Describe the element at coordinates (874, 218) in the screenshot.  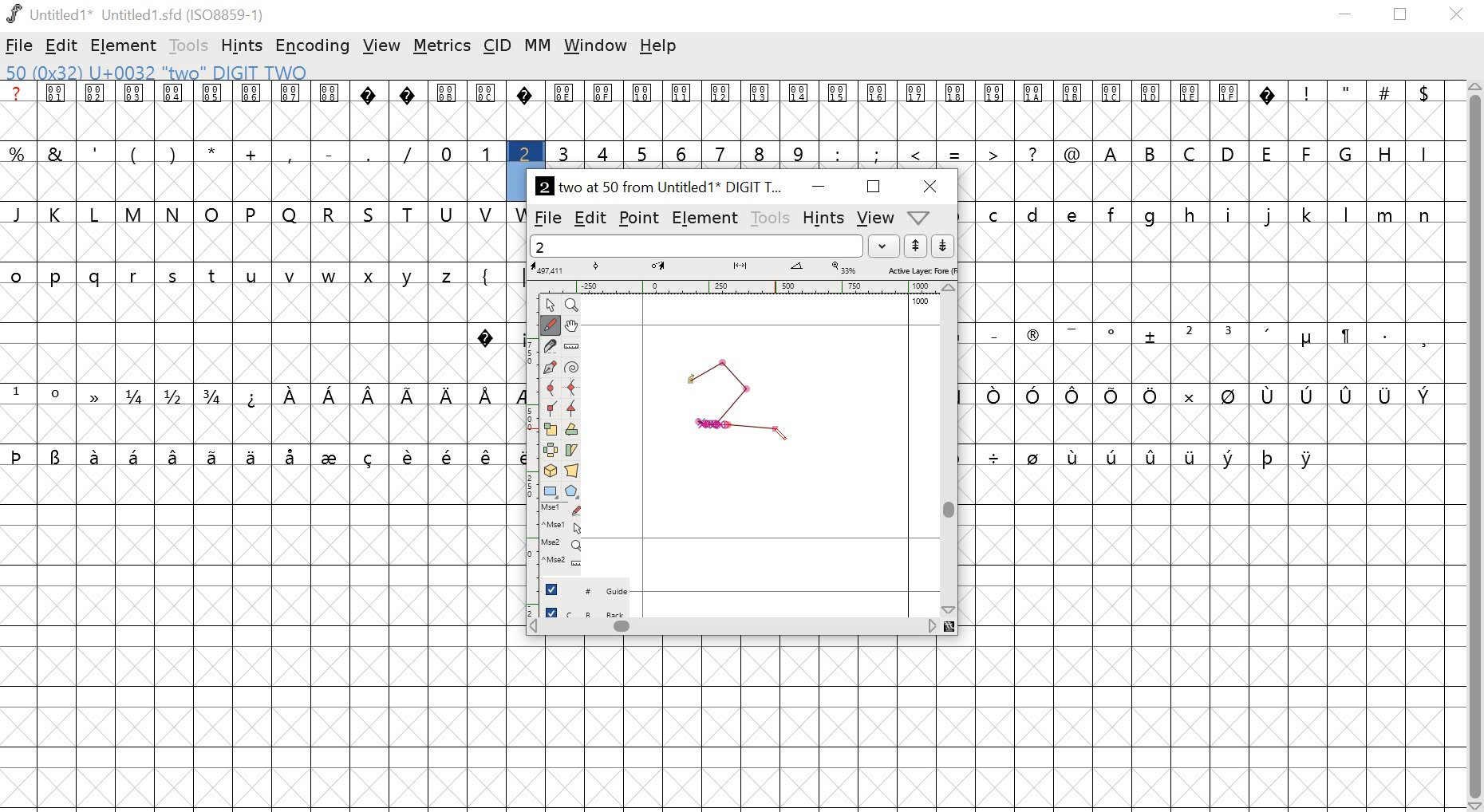
I see `view` at that location.